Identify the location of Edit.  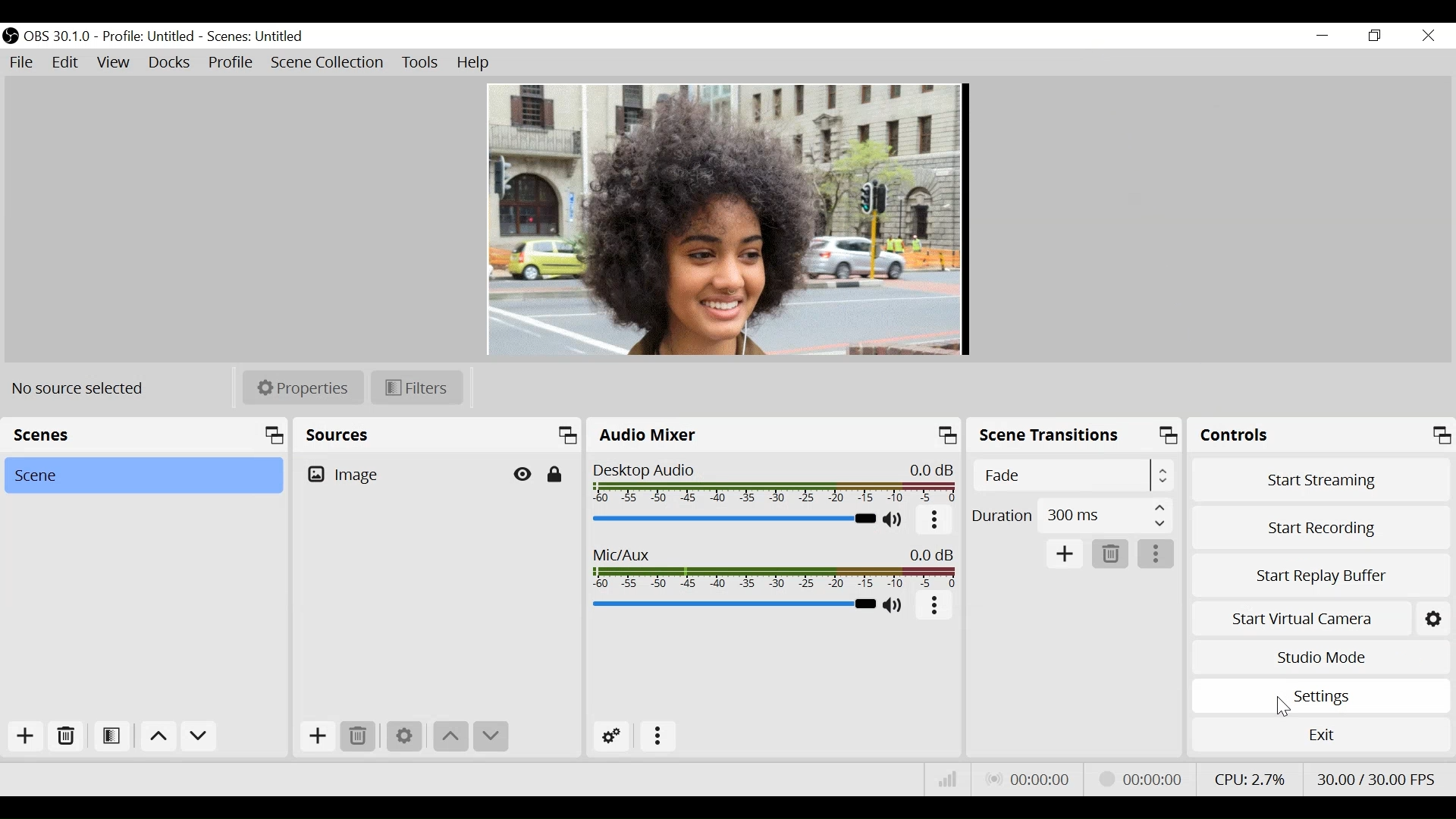
(66, 63).